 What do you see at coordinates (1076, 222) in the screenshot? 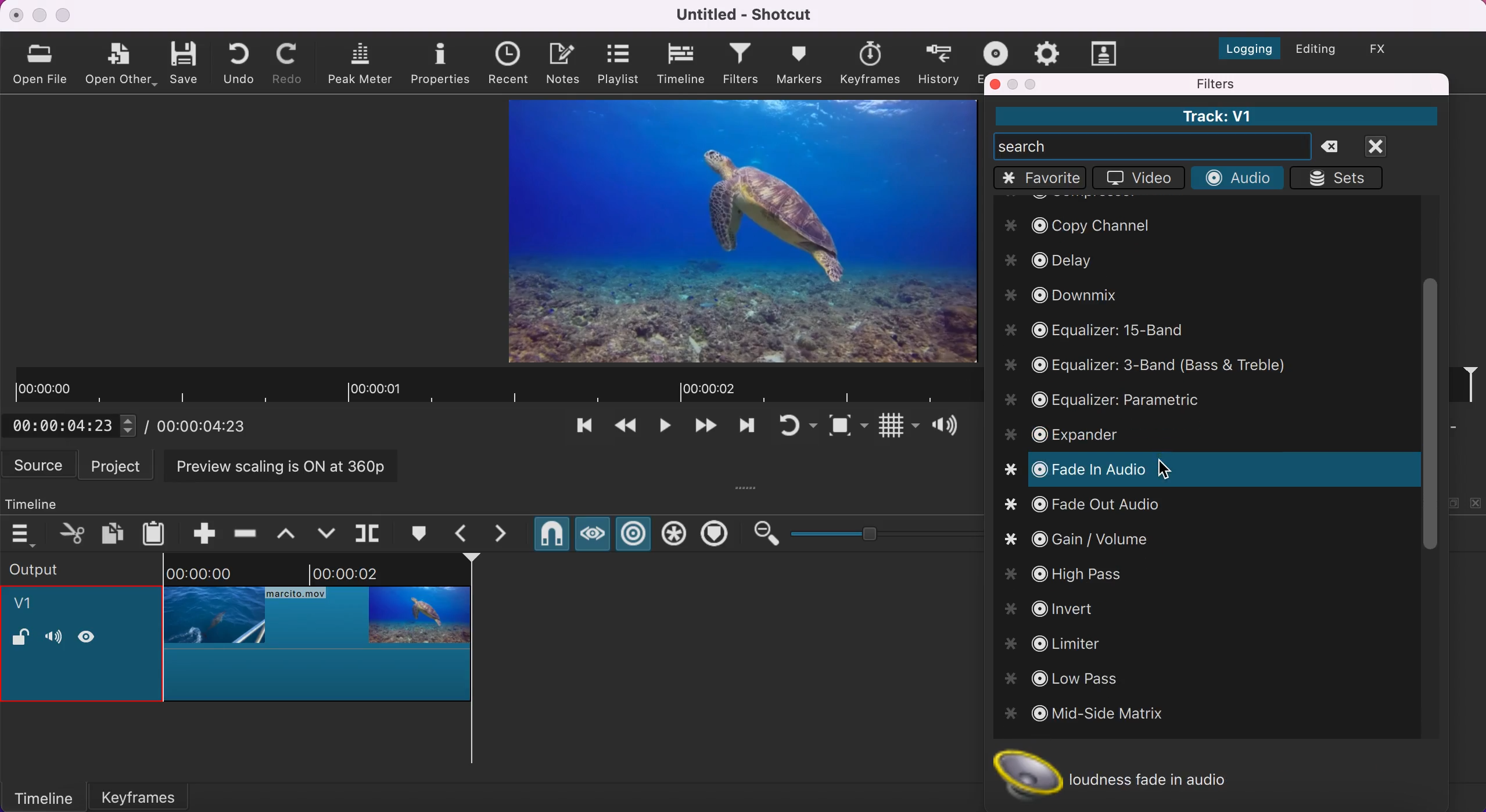
I see `copy channel` at bounding box center [1076, 222].